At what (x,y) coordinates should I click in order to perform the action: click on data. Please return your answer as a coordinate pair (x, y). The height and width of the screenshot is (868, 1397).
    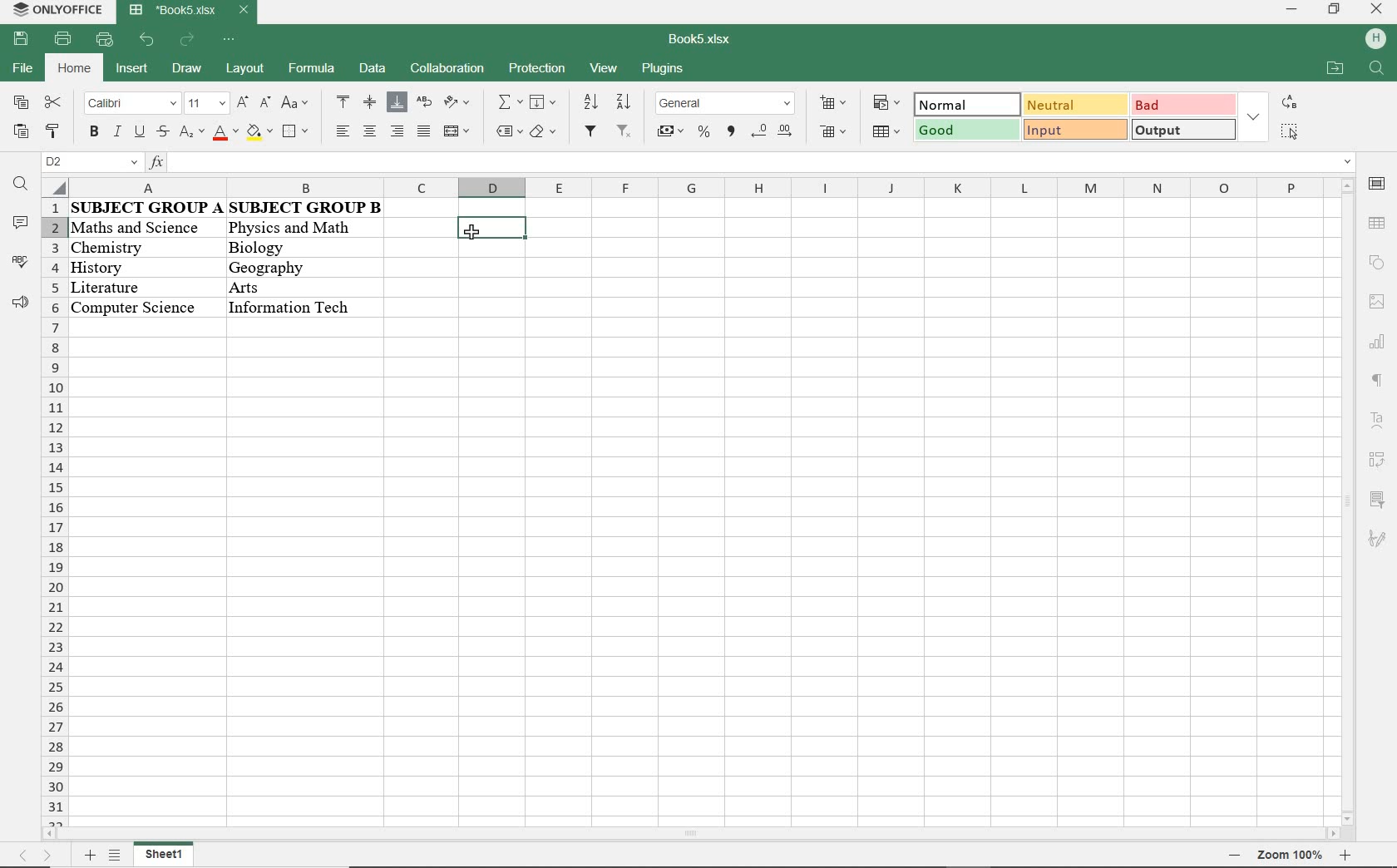
    Looking at the image, I should click on (373, 67).